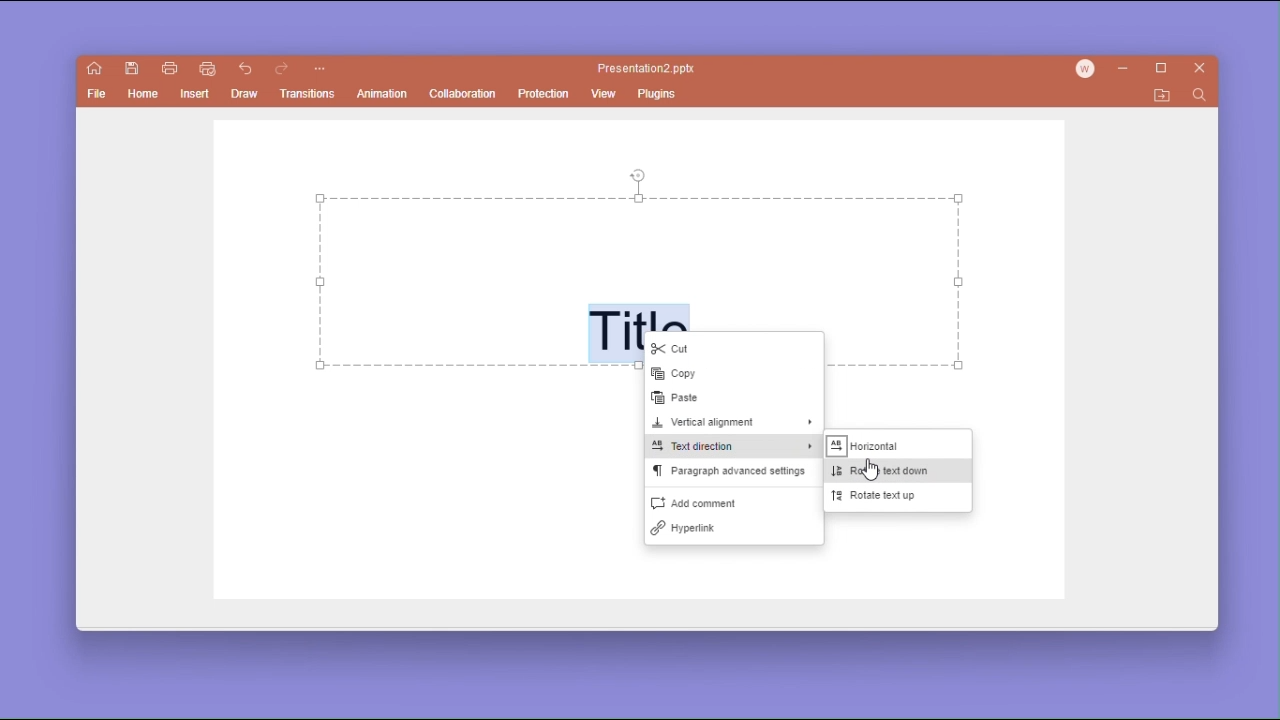  I want to click on draw, so click(246, 94).